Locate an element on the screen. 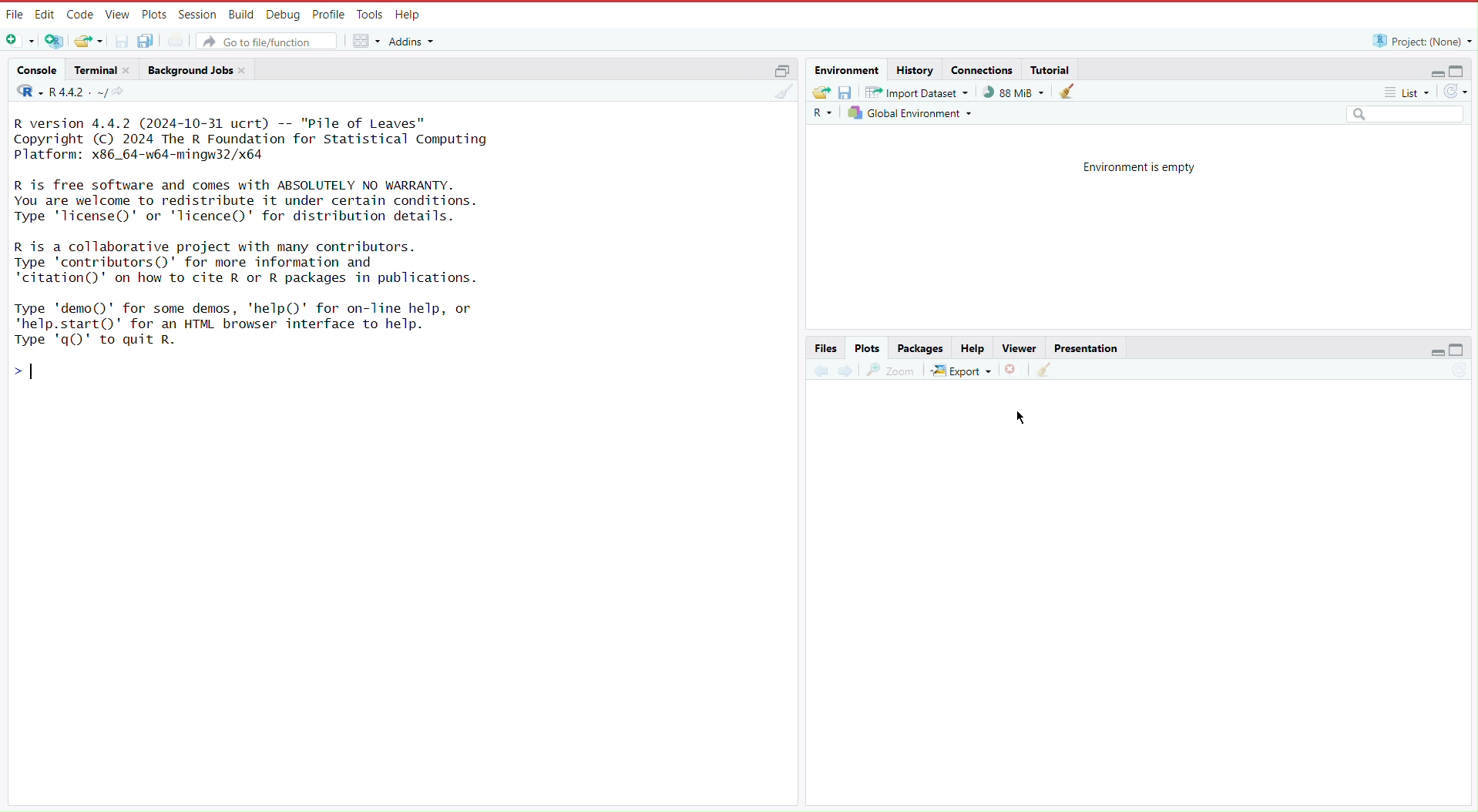 The width and height of the screenshot is (1478, 812). Go to file/function is located at coordinates (268, 39).